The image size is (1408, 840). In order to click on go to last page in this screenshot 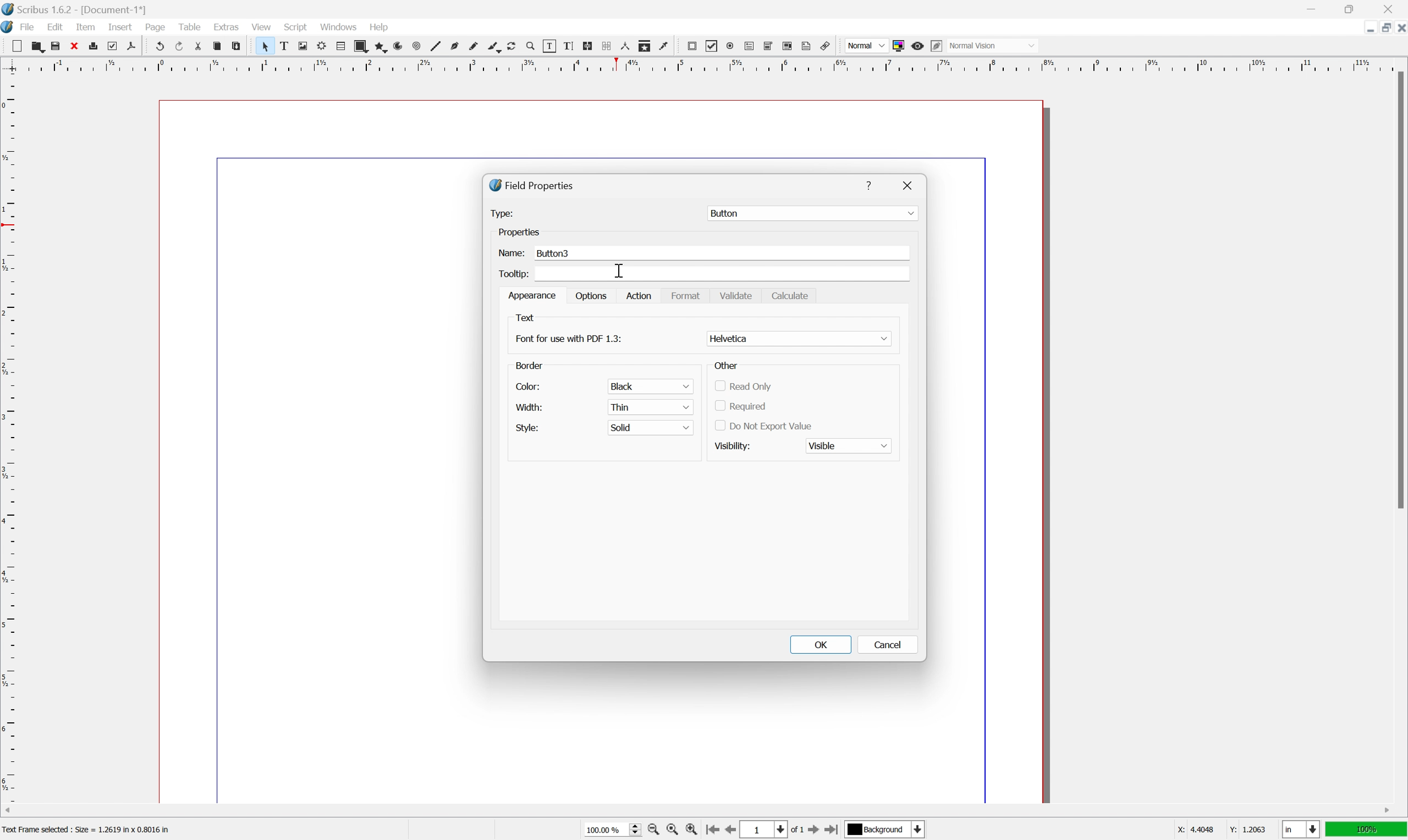, I will do `click(832, 832)`.